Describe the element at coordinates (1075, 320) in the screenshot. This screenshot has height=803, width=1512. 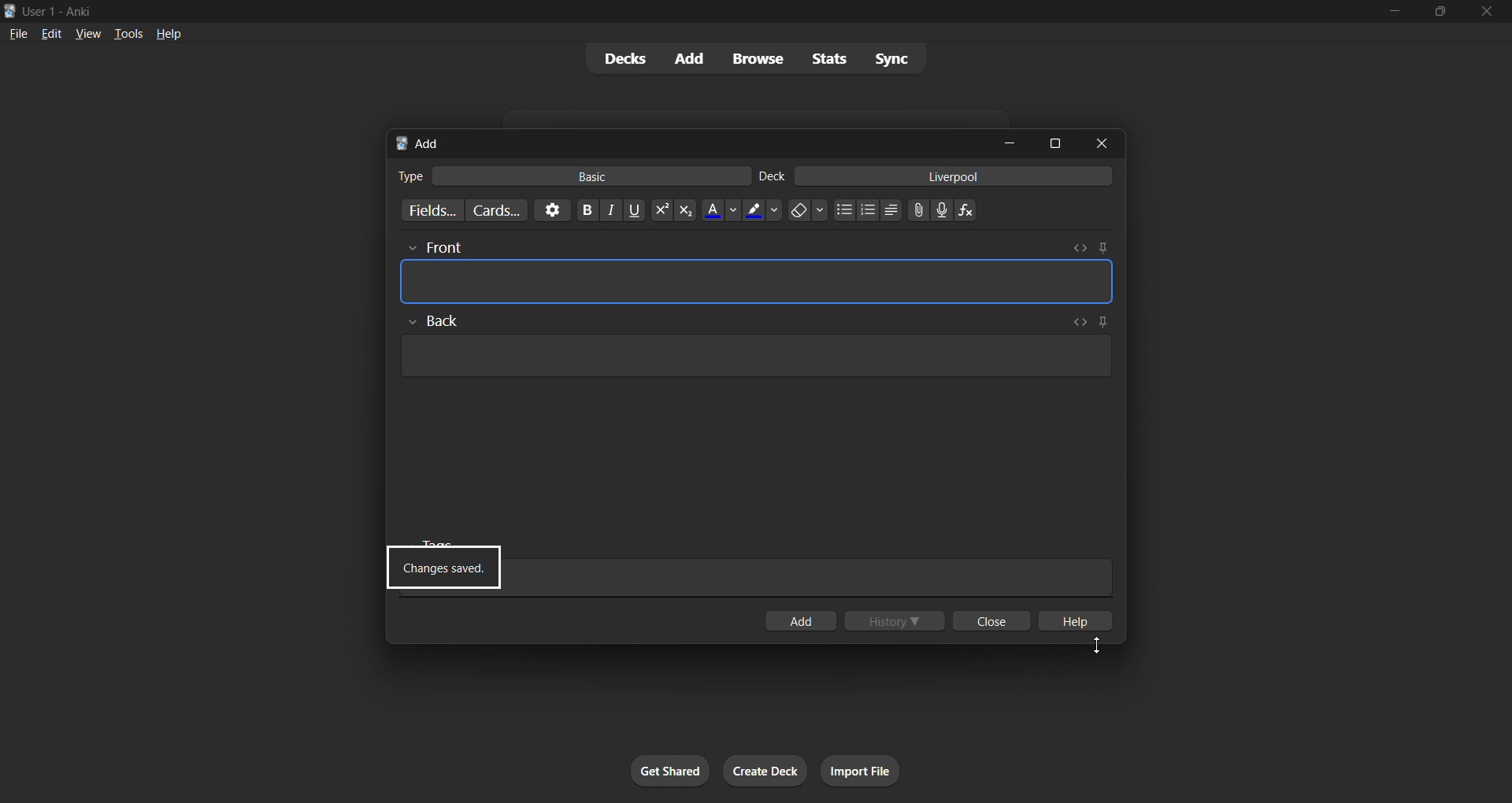
I see `change` at that location.